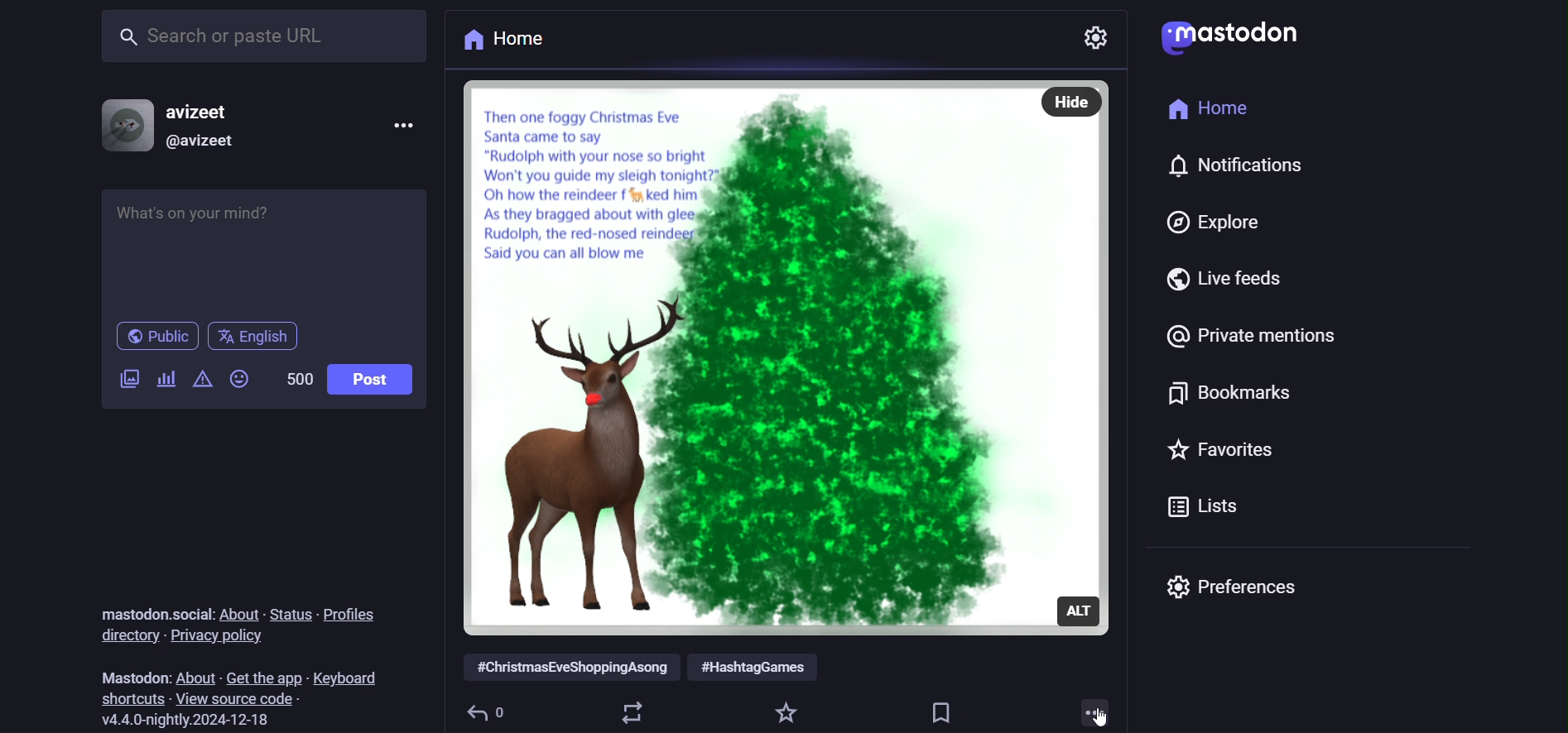 The width and height of the screenshot is (1568, 733). What do you see at coordinates (1204, 506) in the screenshot?
I see `lists` at bounding box center [1204, 506].